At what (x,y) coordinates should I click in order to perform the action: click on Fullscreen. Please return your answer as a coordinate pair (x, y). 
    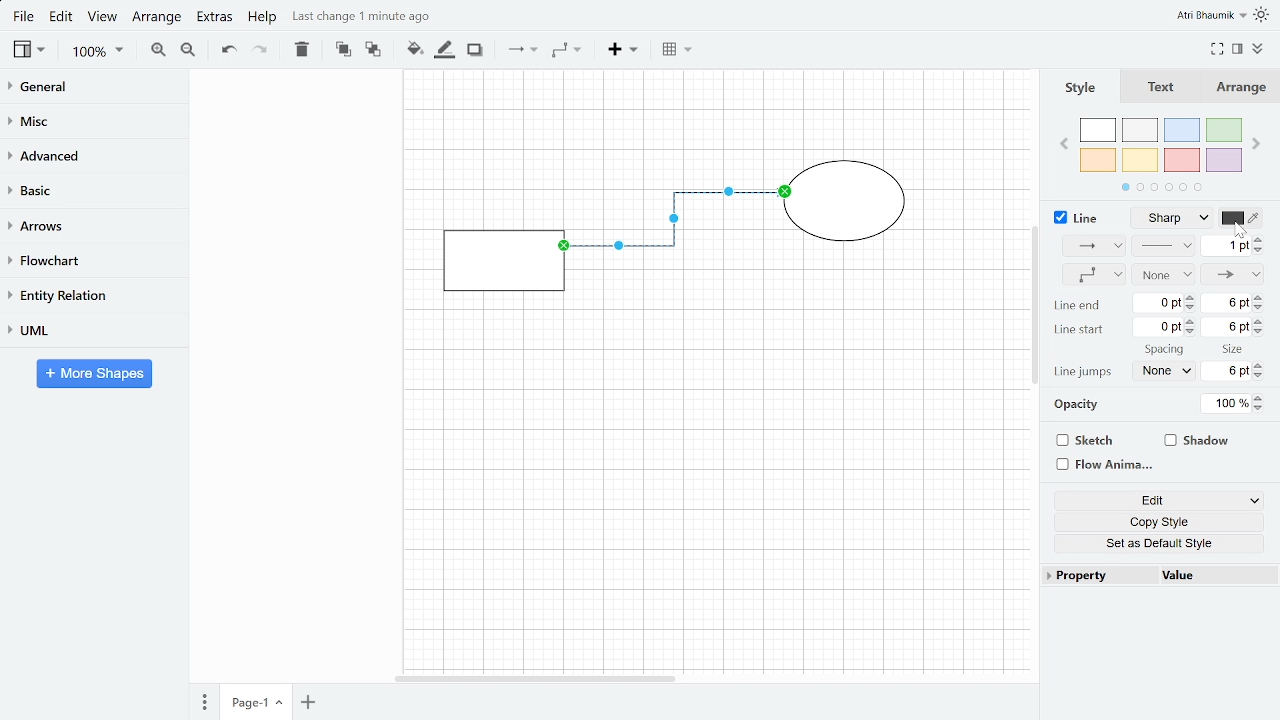
    Looking at the image, I should click on (1218, 49).